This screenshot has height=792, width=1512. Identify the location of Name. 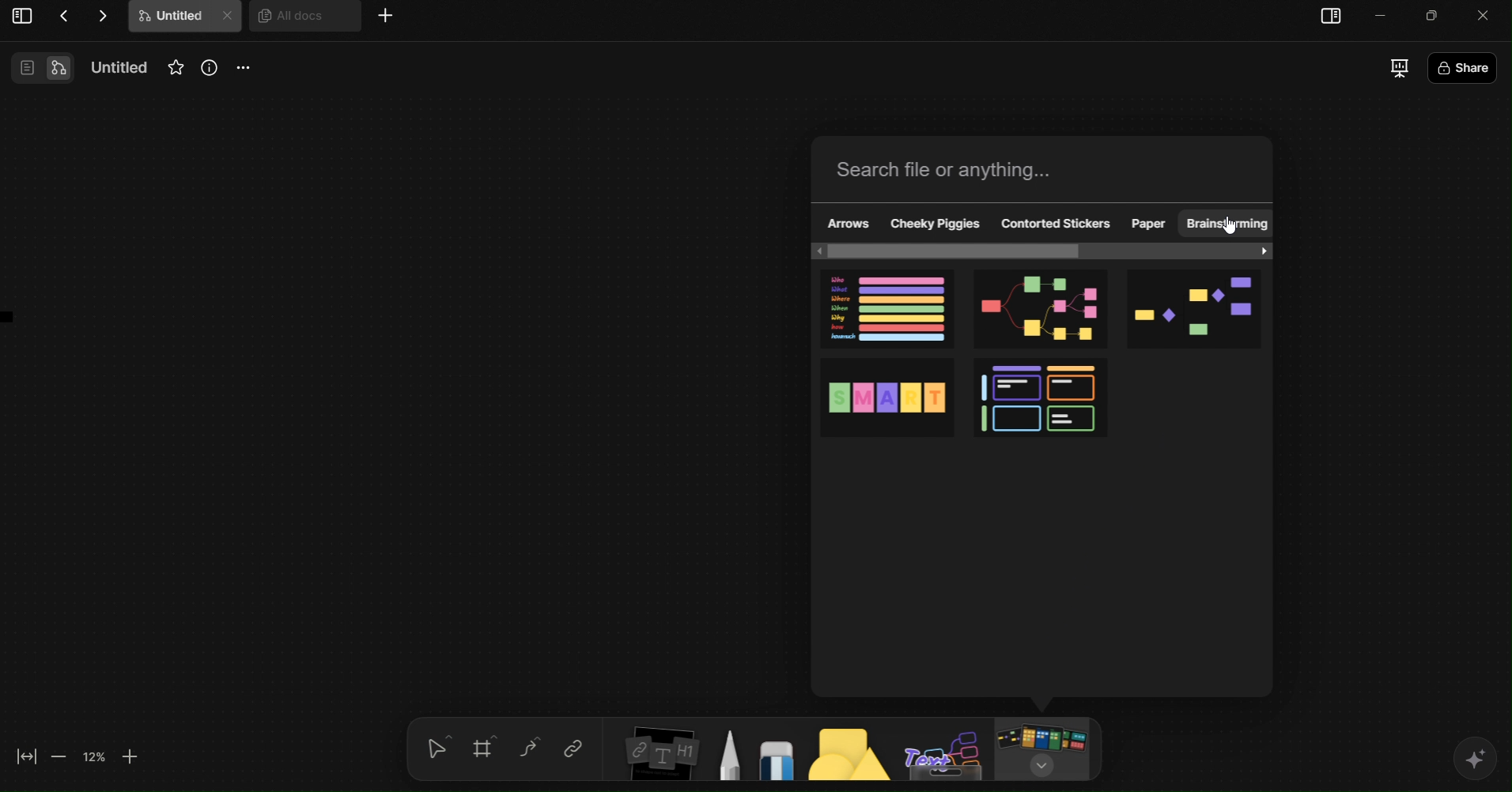
(114, 66).